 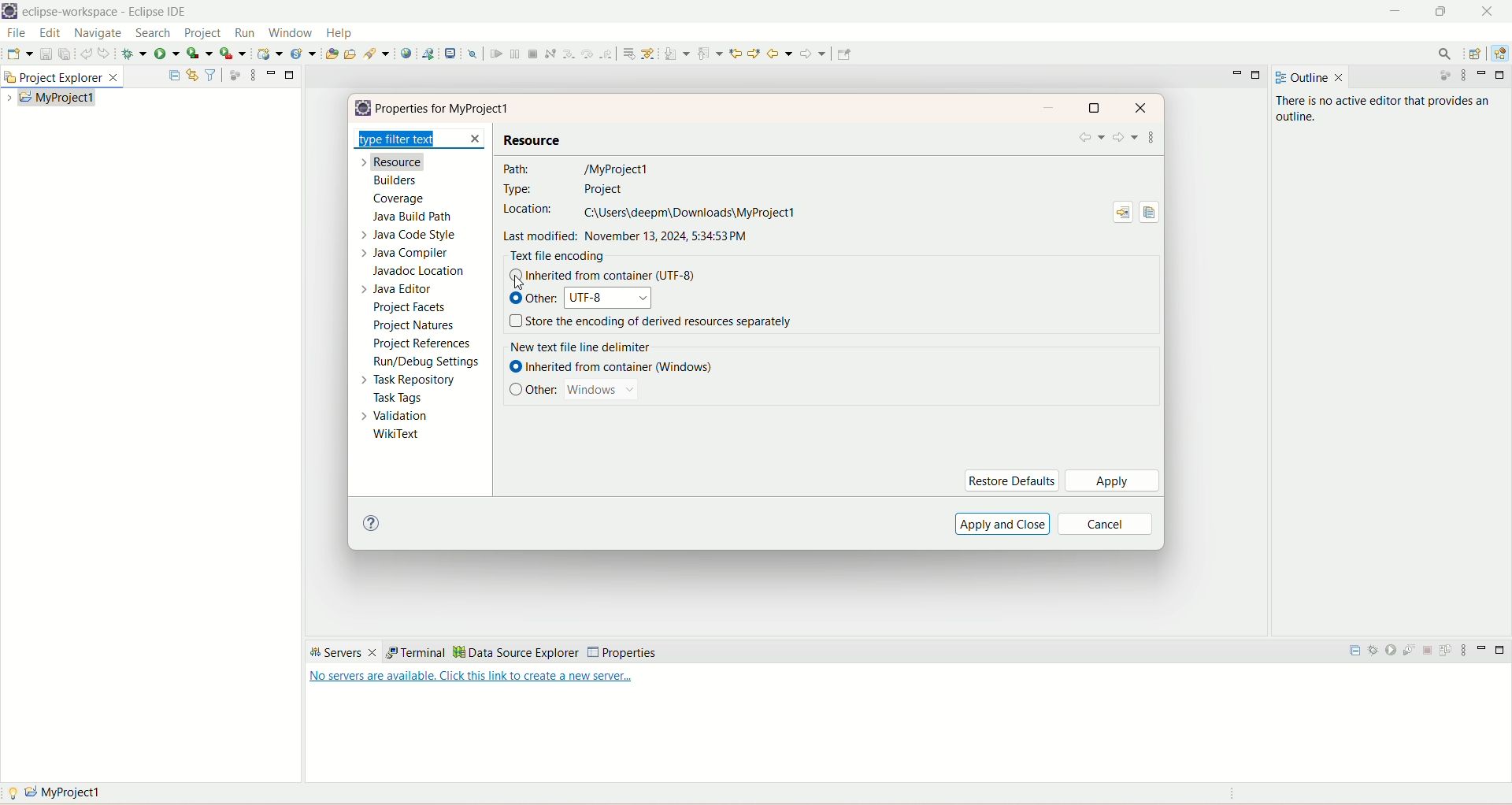 I want to click on launch a web service project, so click(x=432, y=53).